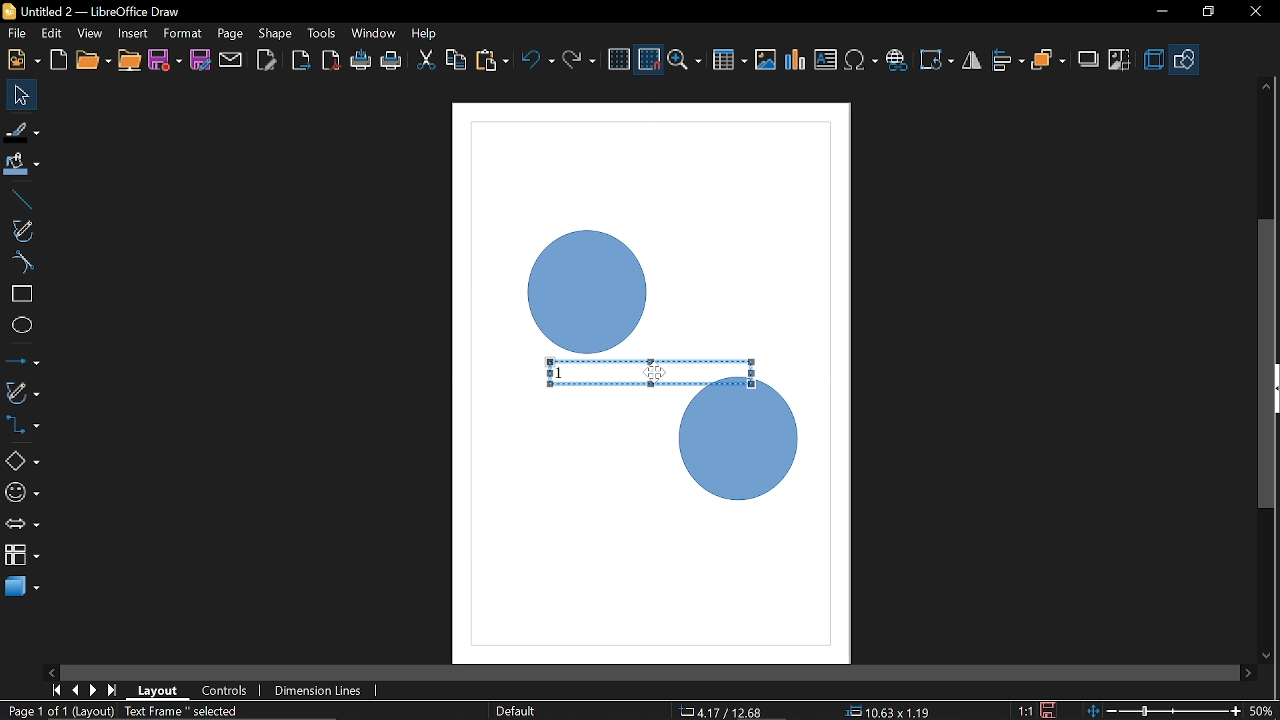 Image resolution: width=1280 pixels, height=720 pixels. Describe the element at coordinates (321, 692) in the screenshot. I see `DImension line` at that location.